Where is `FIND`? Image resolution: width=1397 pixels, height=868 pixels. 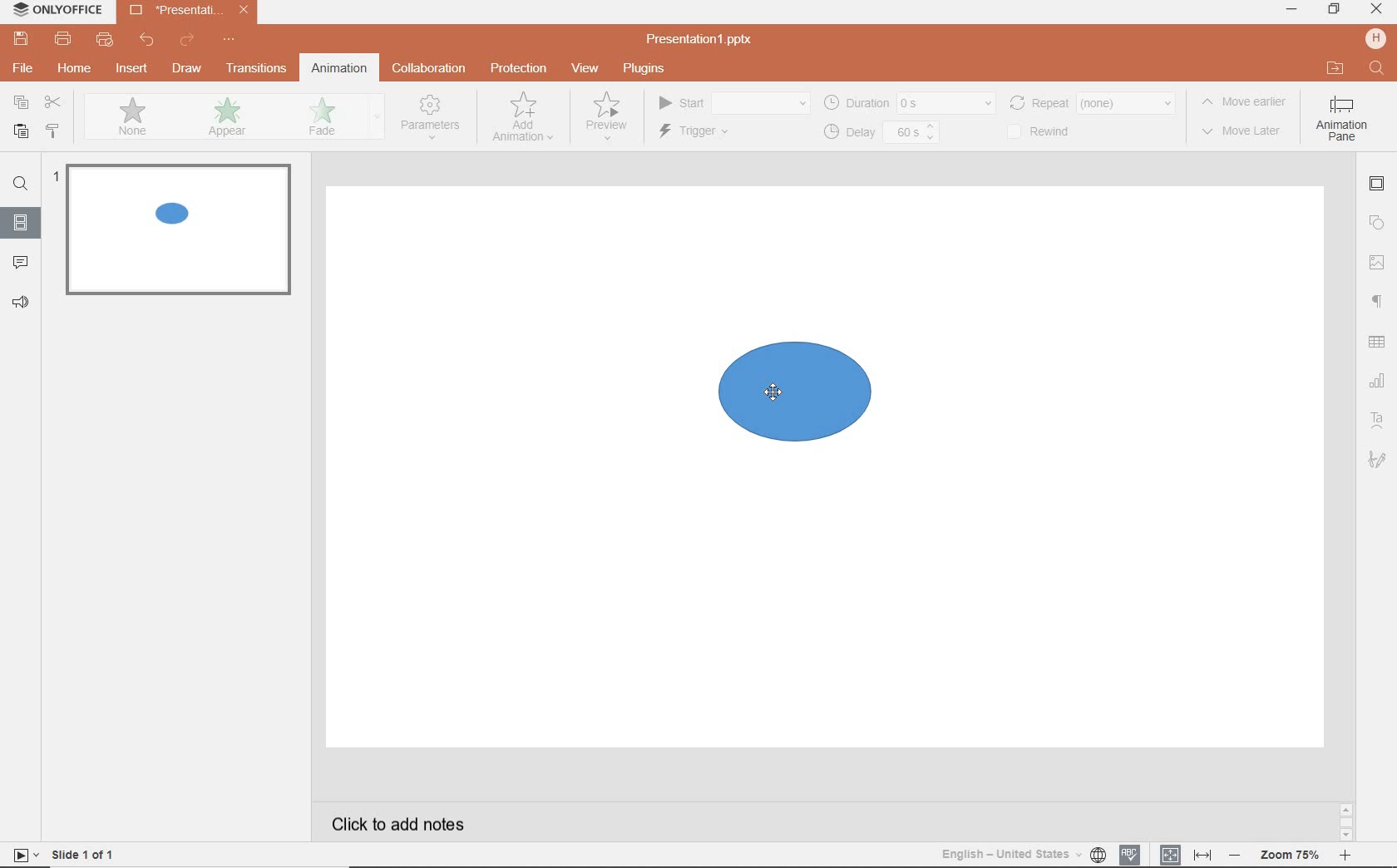
FIND is located at coordinates (1379, 71).